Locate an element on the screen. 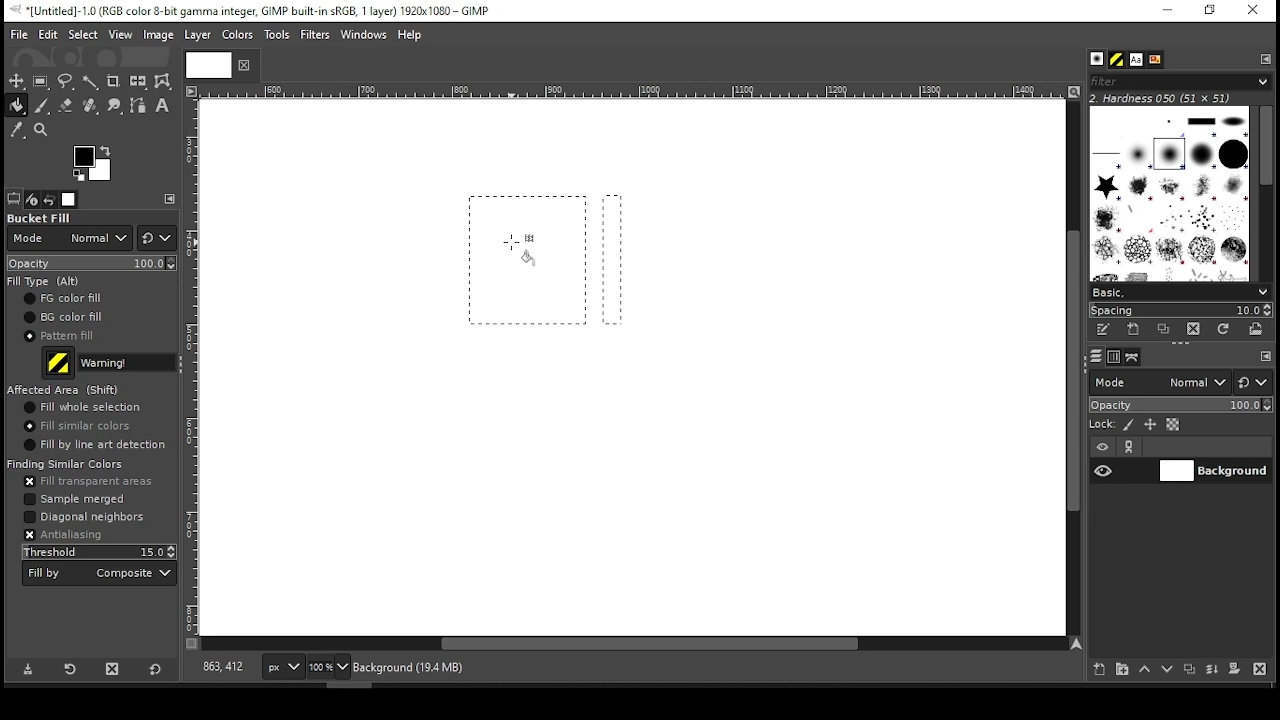  configure this tab is located at coordinates (172, 199).